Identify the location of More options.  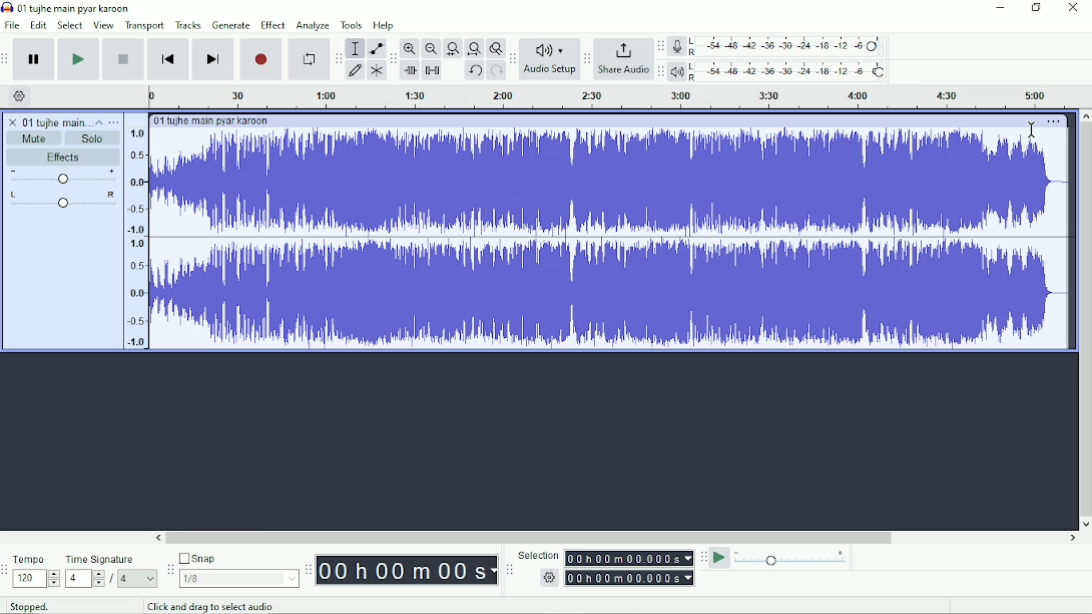
(1054, 121).